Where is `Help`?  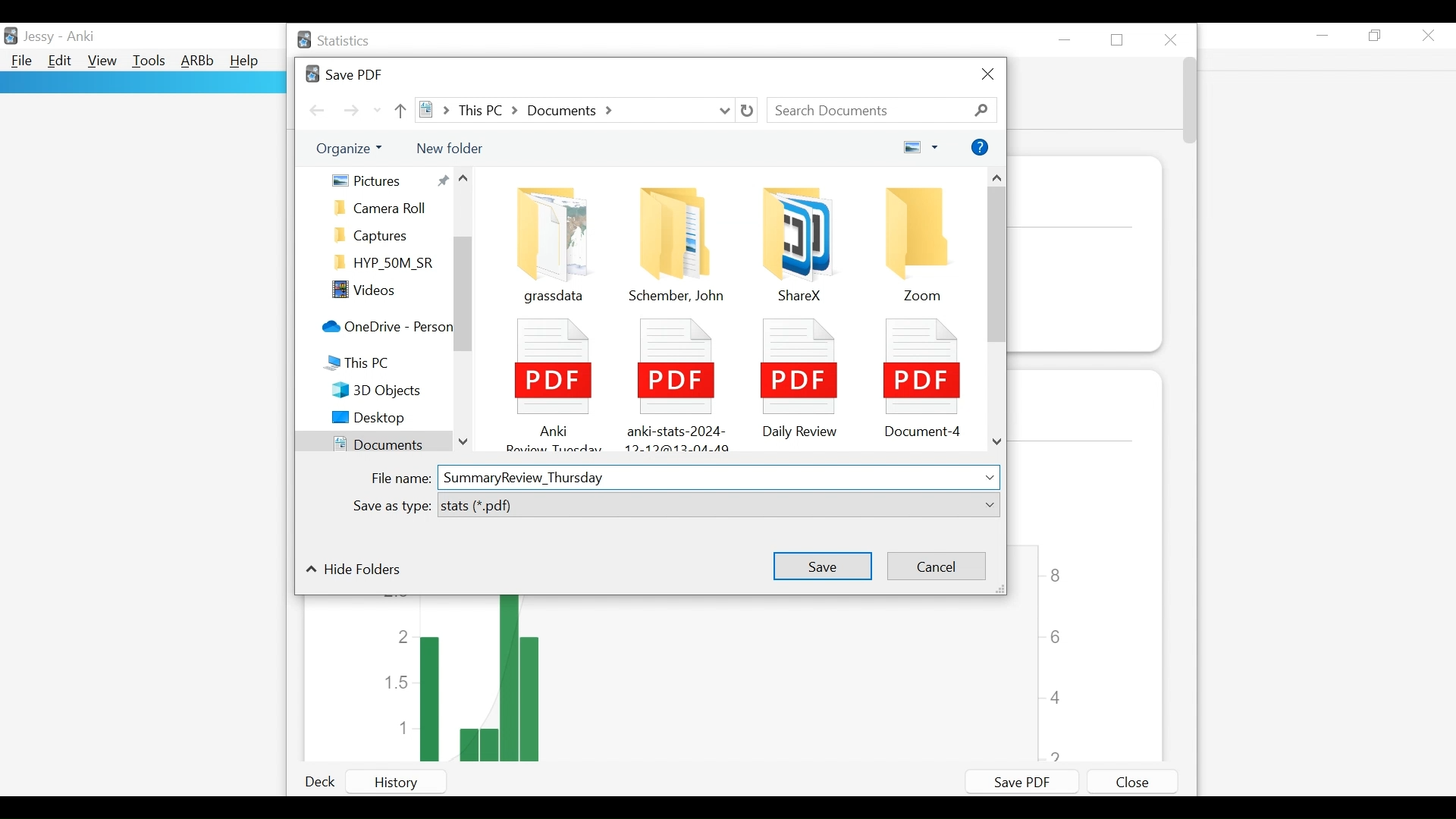 Help is located at coordinates (980, 148).